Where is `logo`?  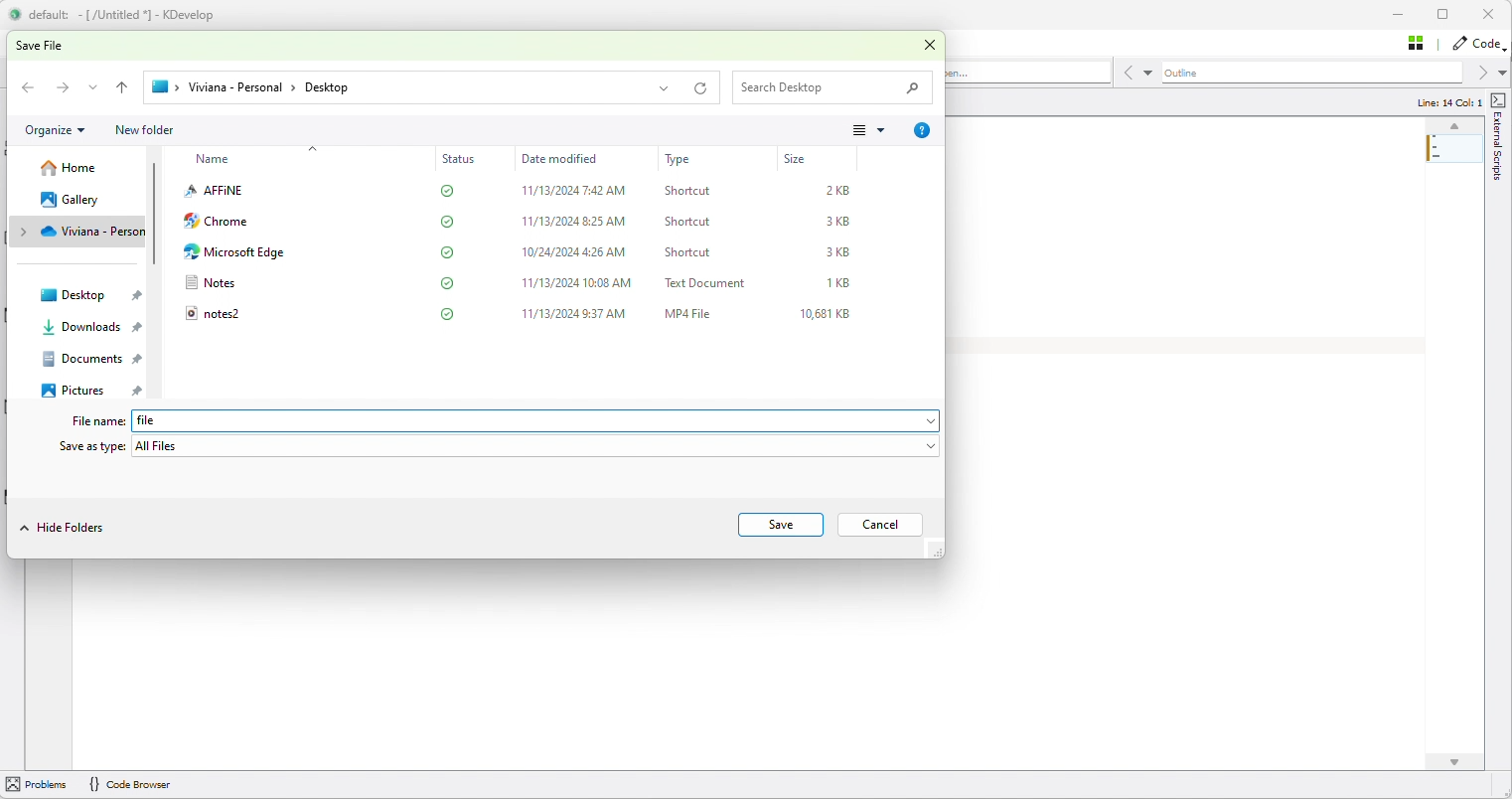 logo is located at coordinates (15, 14).